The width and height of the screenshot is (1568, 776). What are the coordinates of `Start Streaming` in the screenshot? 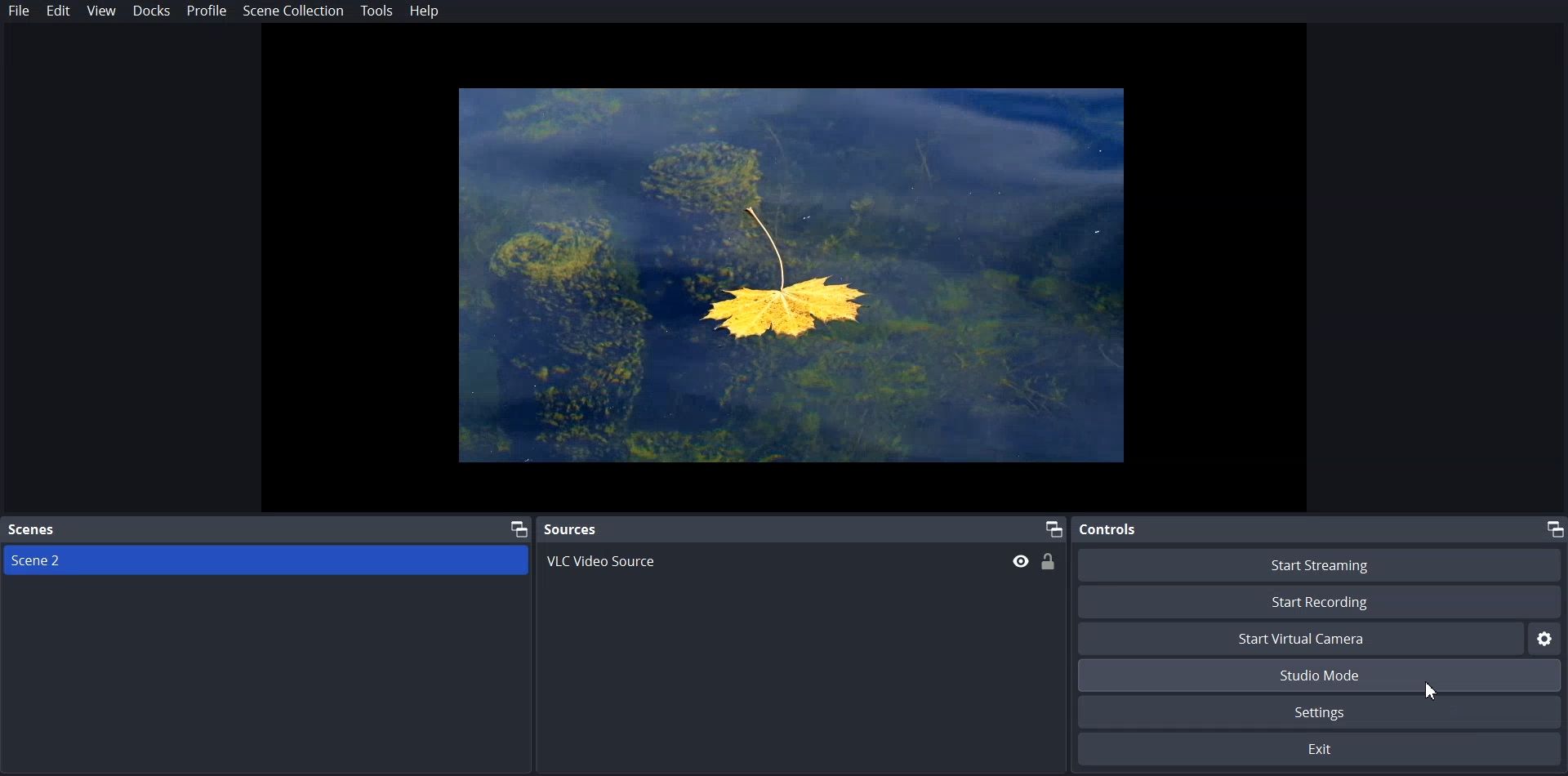 It's located at (1319, 565).